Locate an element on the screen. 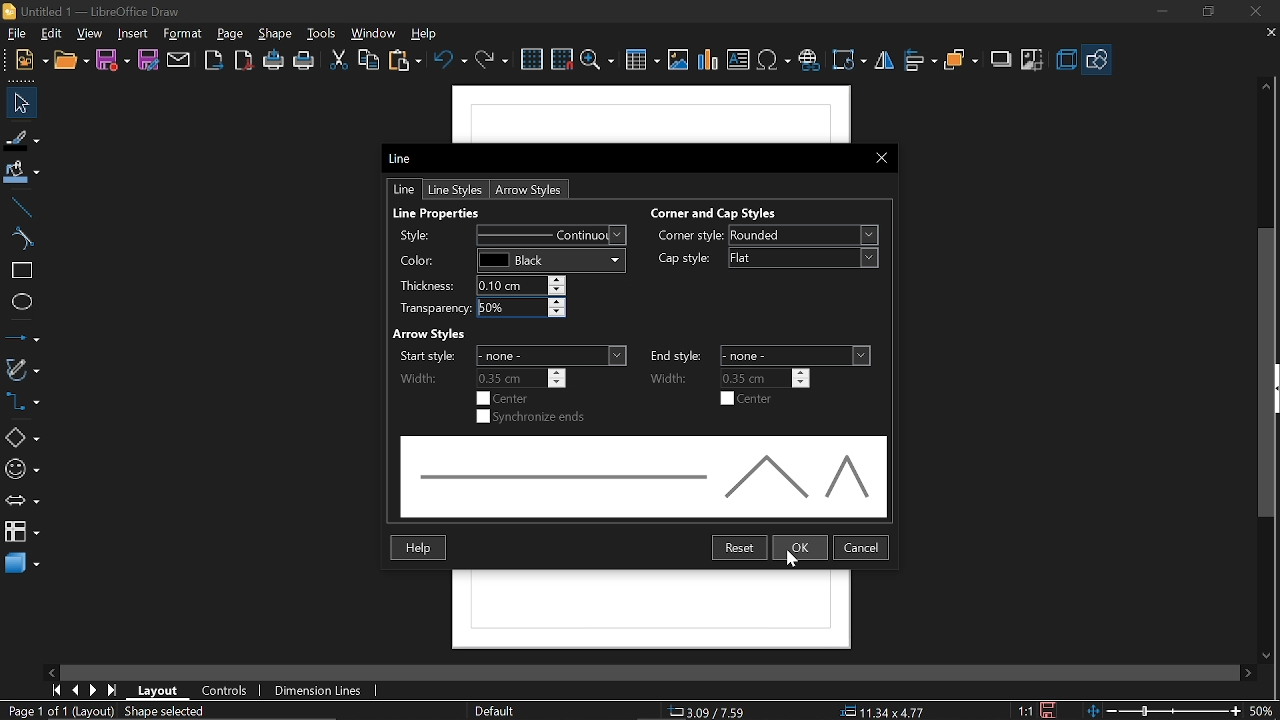 The width and height of the screenshot is (1280, 720). arrows is located at coordinates (22, 501).